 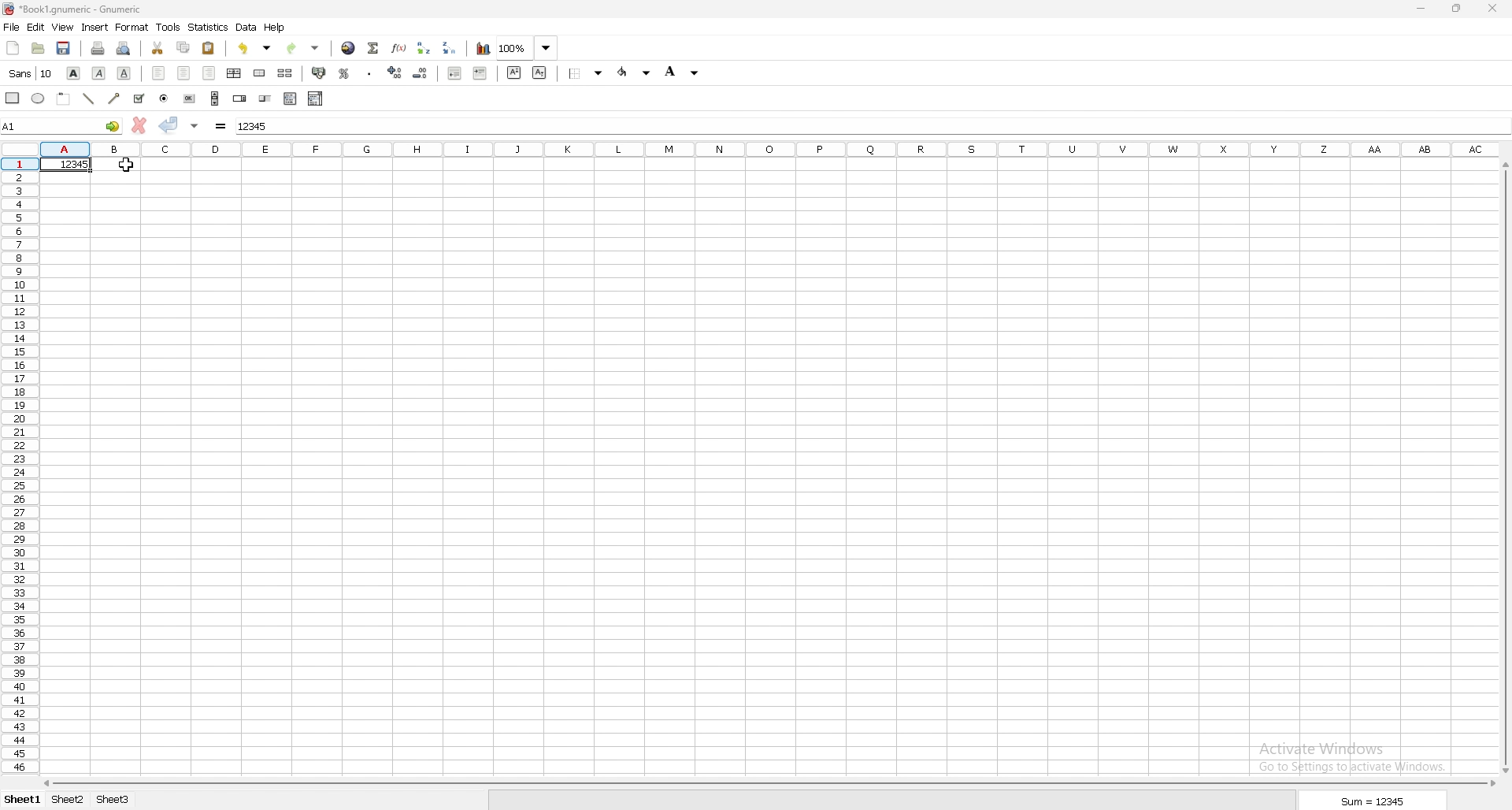 I want to click on list, so click(x=290, y=98).